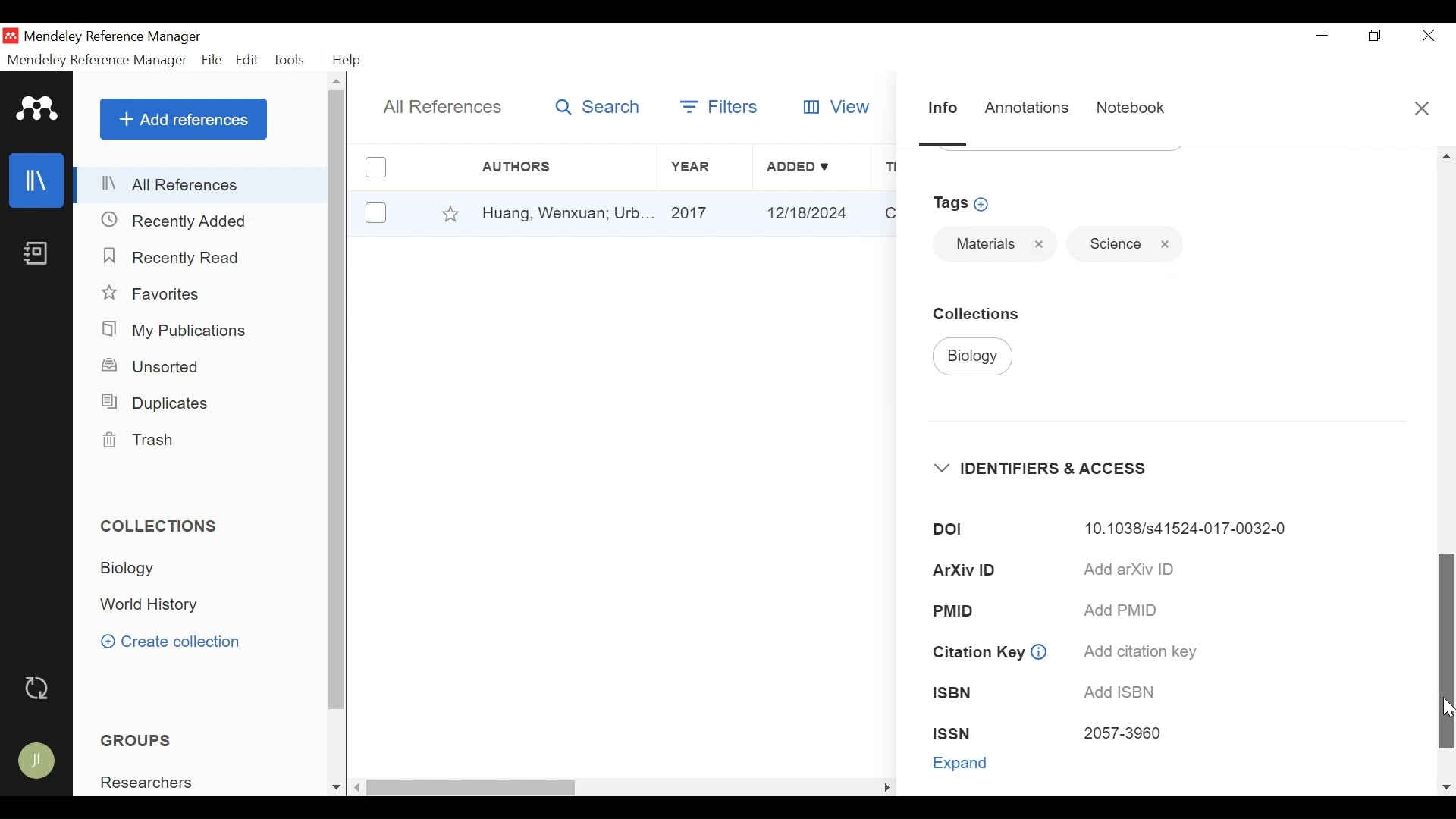 Image resolution: width=1456 pixels, height=819 pixels. What do you see at coordinates (703, 167) in the screenshot?
I see `Year` at bounding box center [703, 167].